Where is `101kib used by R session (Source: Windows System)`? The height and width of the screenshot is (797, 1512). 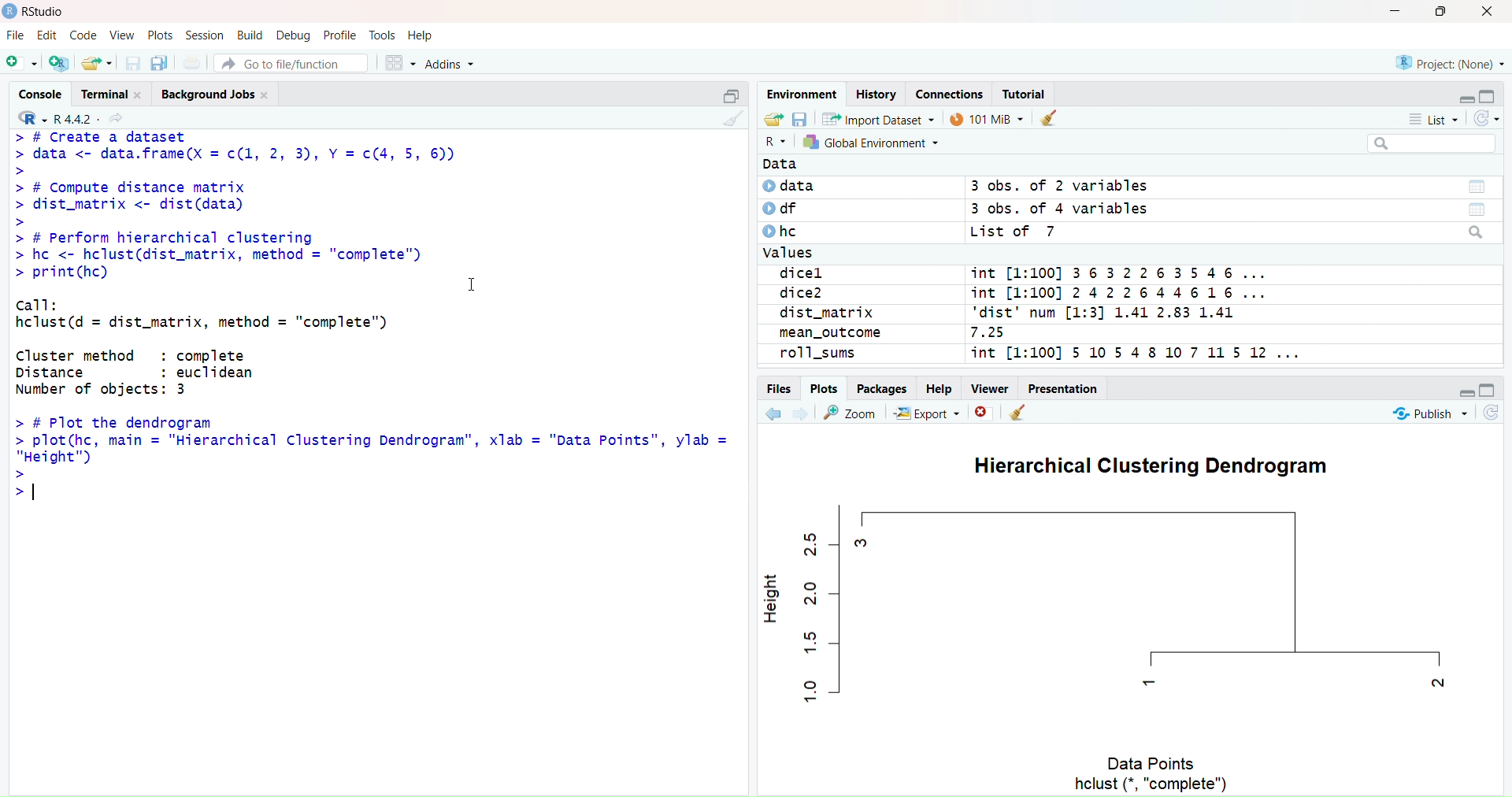
101kib used by R session (Source: Windows System) is located at coordinates (987, 117).